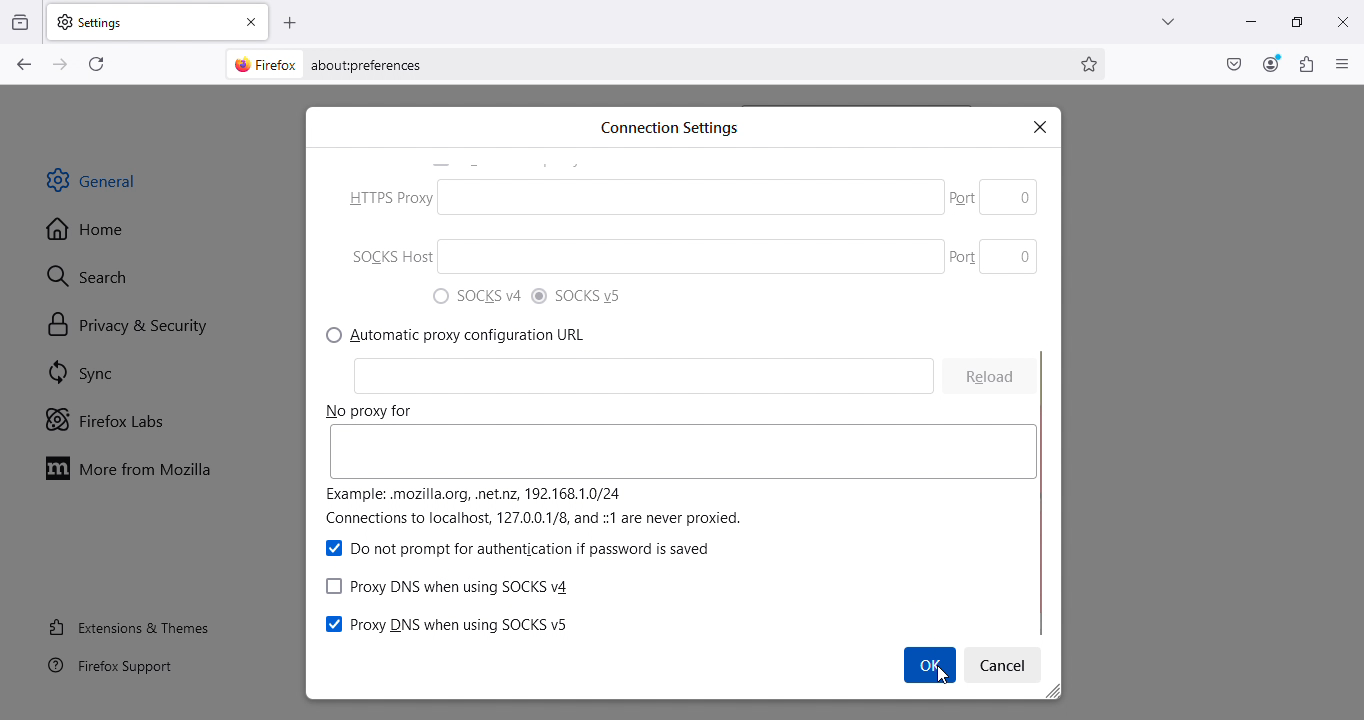  Describe the element at coordinates (142, 21) in the screenshot. I see `Settings` at that location.